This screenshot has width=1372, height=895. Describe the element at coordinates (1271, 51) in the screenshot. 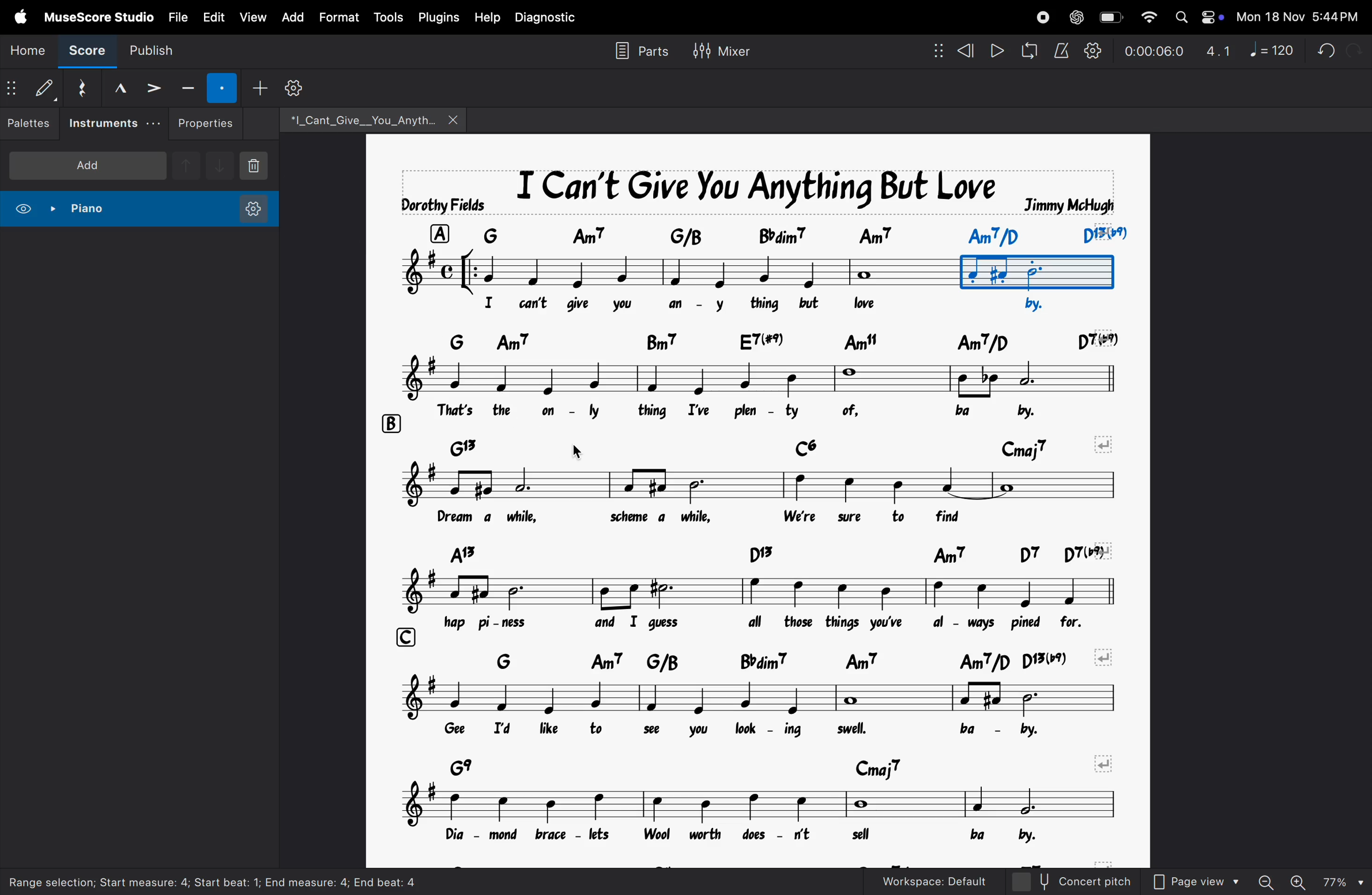

I see `note 120` at that location.